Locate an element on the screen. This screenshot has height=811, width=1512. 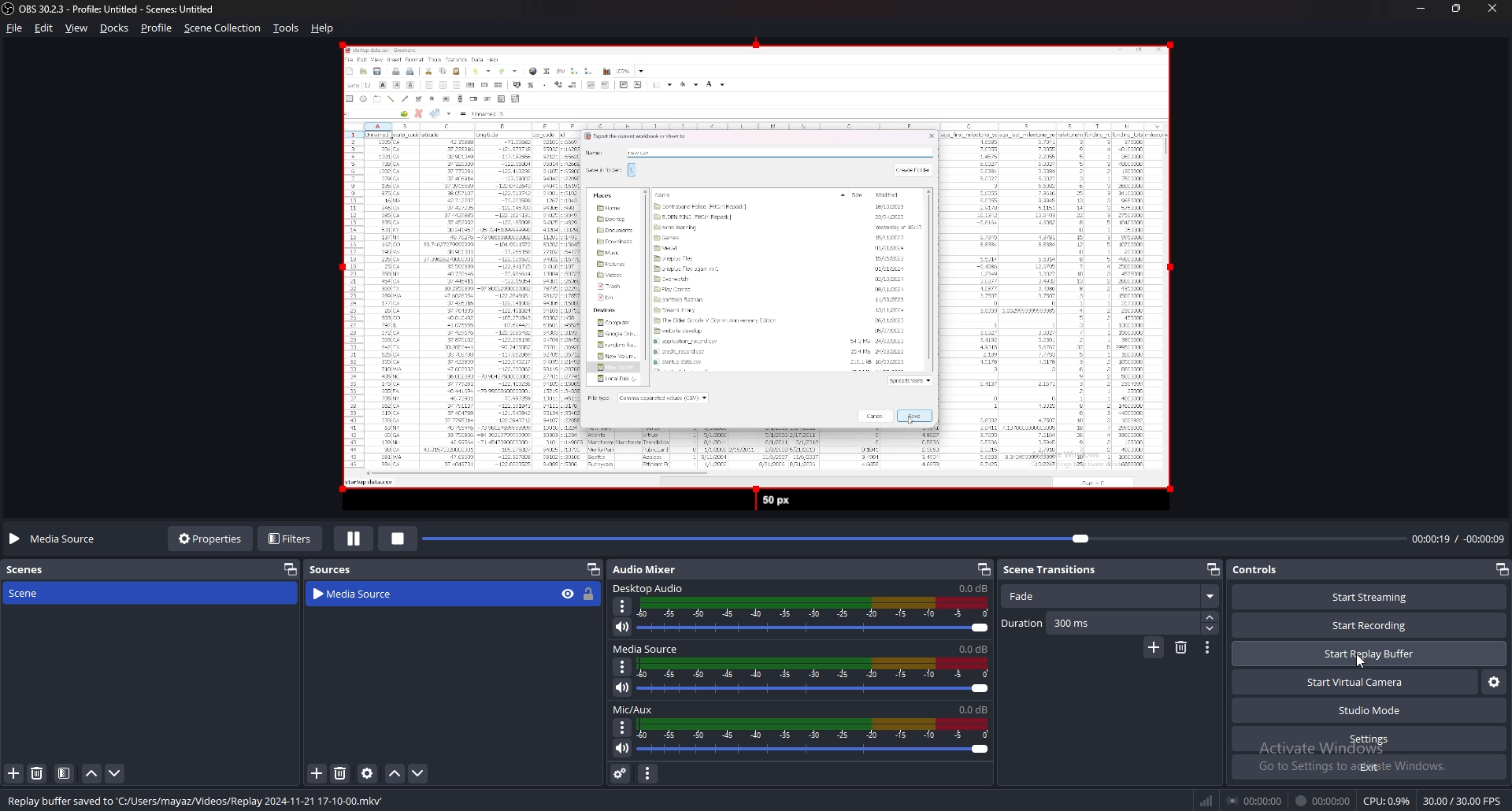
pop out is located at coordinates (291, 569).